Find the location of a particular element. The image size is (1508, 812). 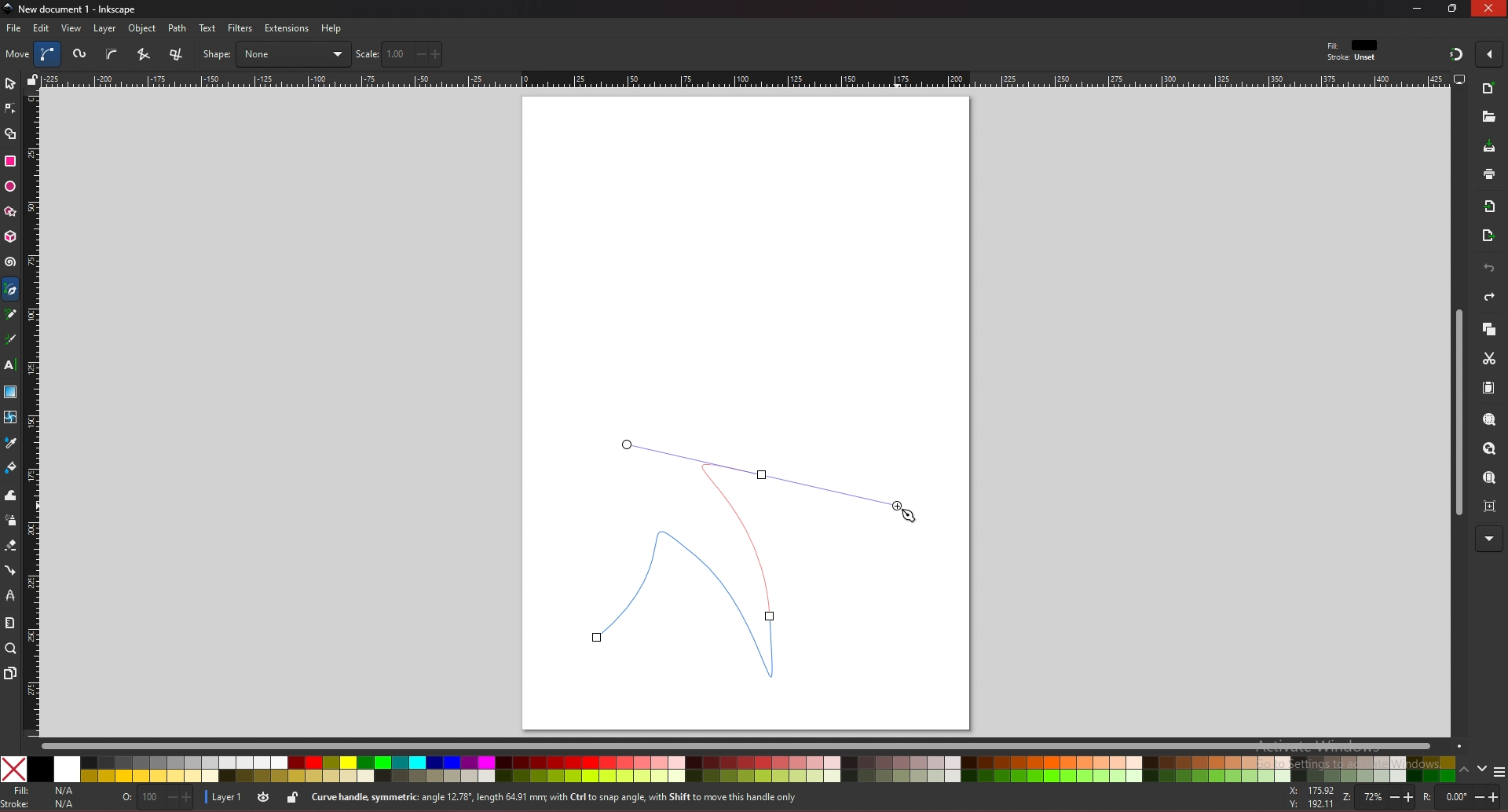

b spline path is located at coordinates (112, 53).